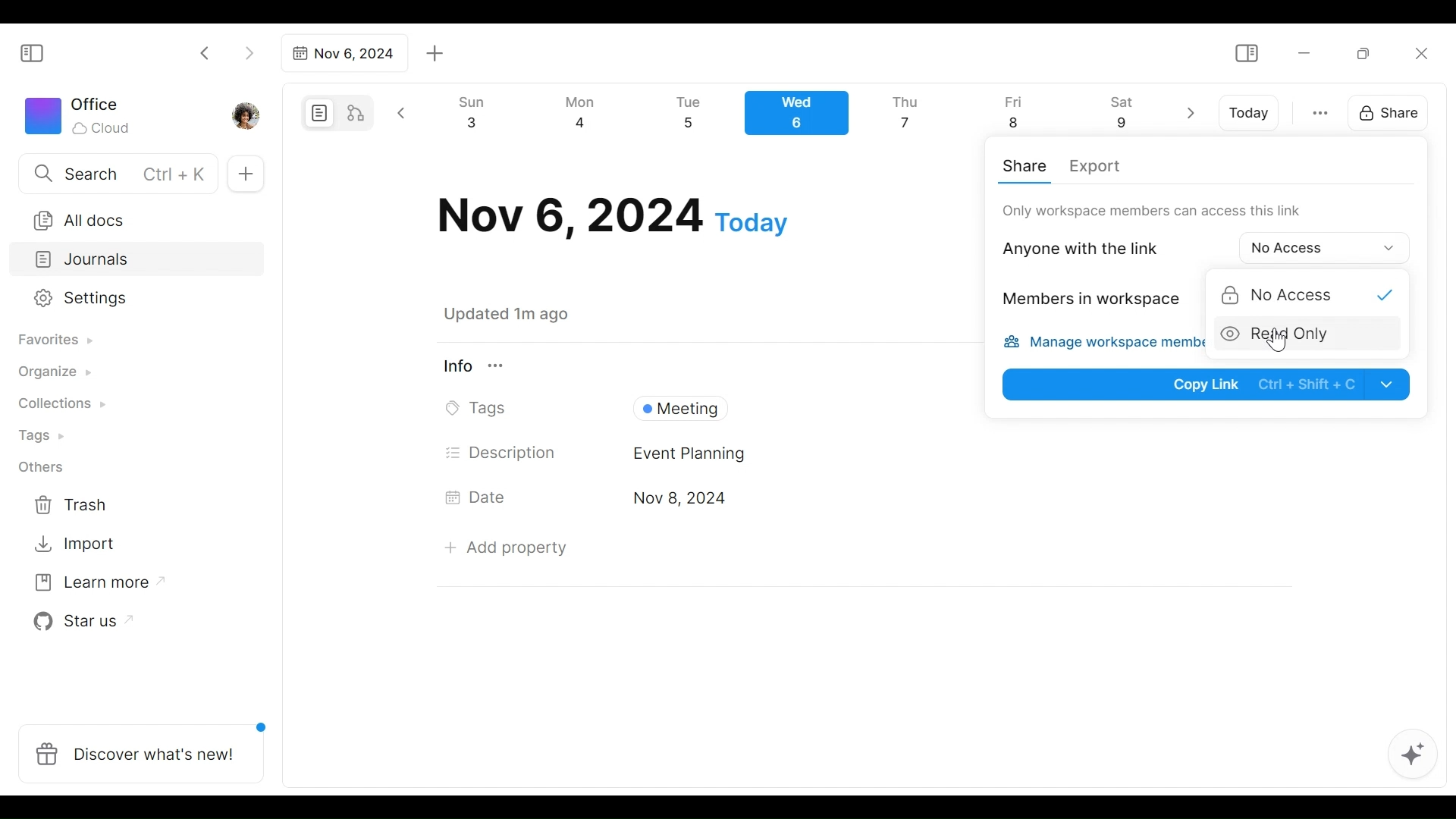 The height and width of the screenshot is (819, 1456). What do you see at coordinates (317, 113) in the screenshot?
I see `Page mode` at bounding box center [317, 113].